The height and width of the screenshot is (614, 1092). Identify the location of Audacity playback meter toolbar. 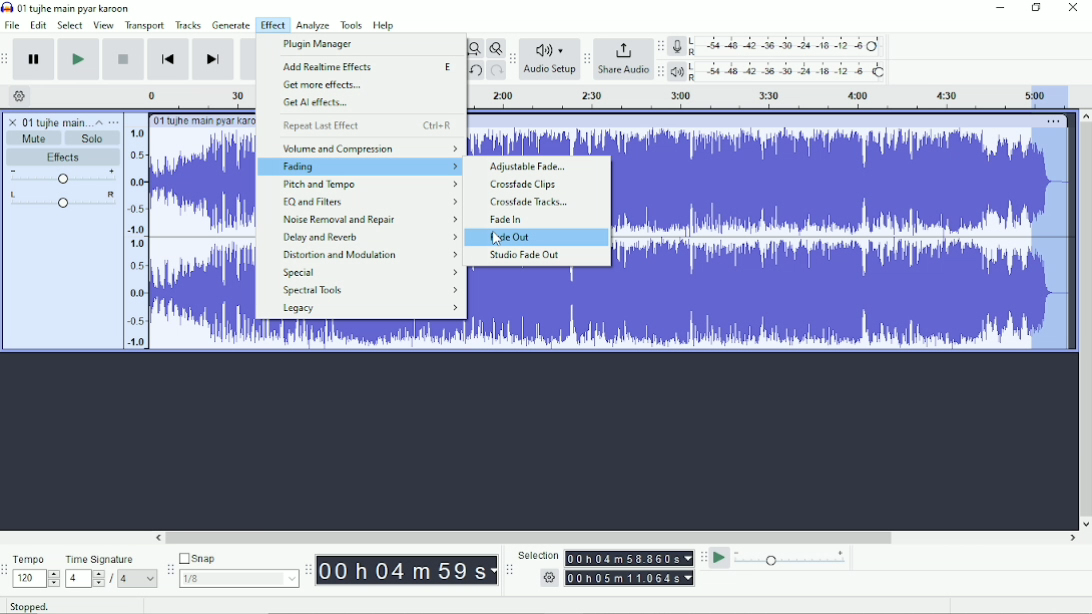
(662, 71).